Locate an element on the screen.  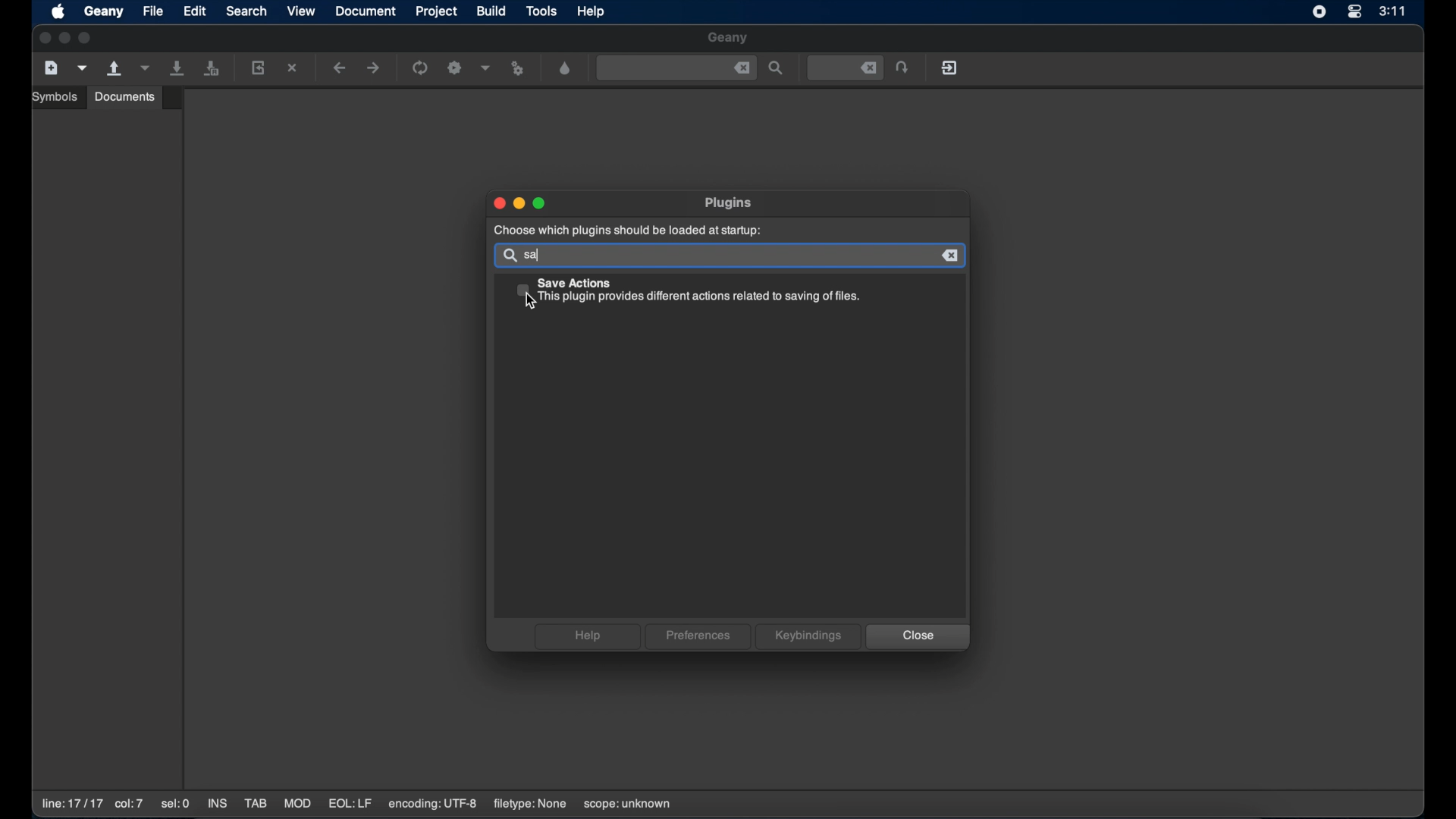
jump to the entered file is located at coordinates (903, 68).